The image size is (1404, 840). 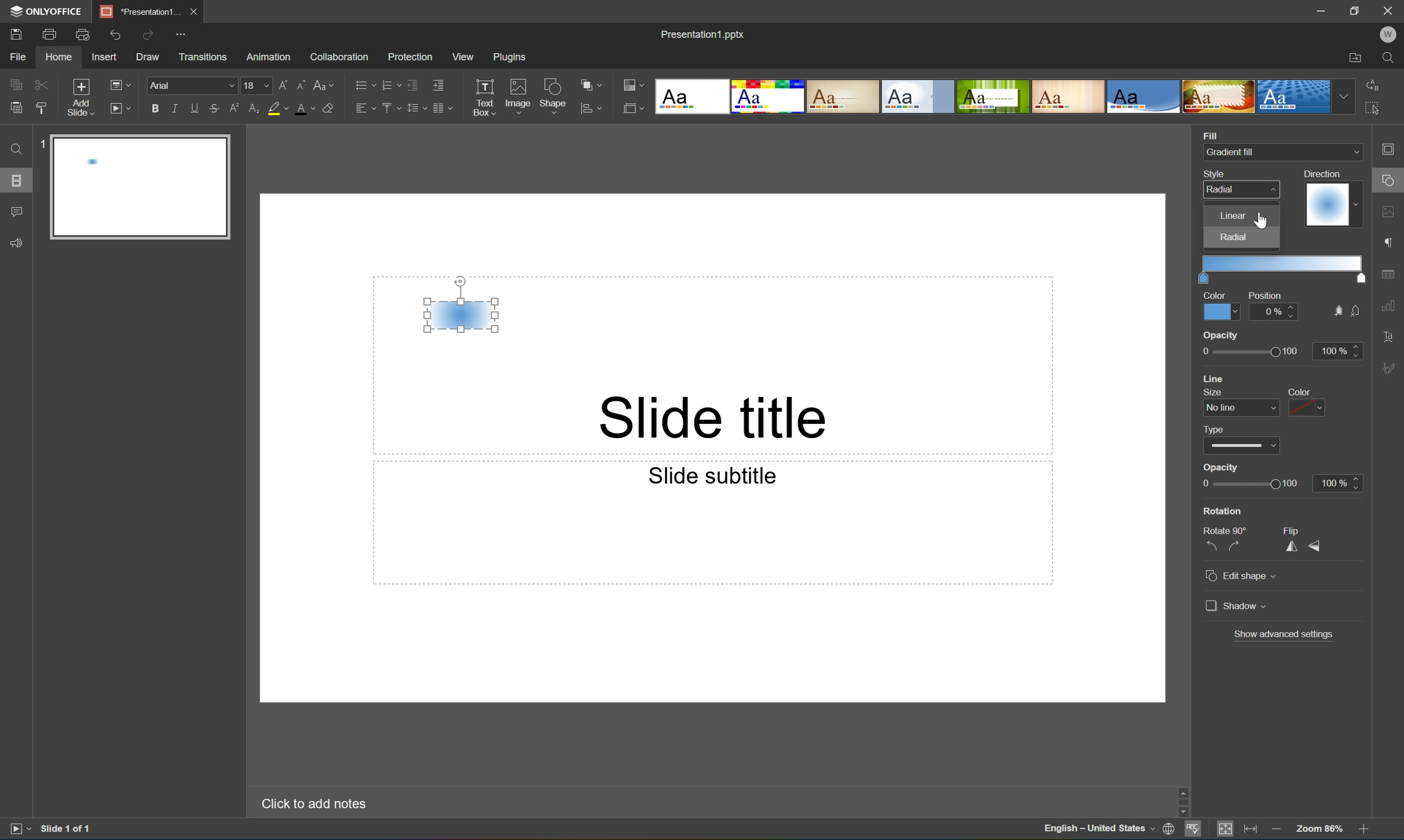 What do you see at coordinates (1321, 830) in the screenshot?
I see `Zoom 103%` at bounding box center [1321, 830].